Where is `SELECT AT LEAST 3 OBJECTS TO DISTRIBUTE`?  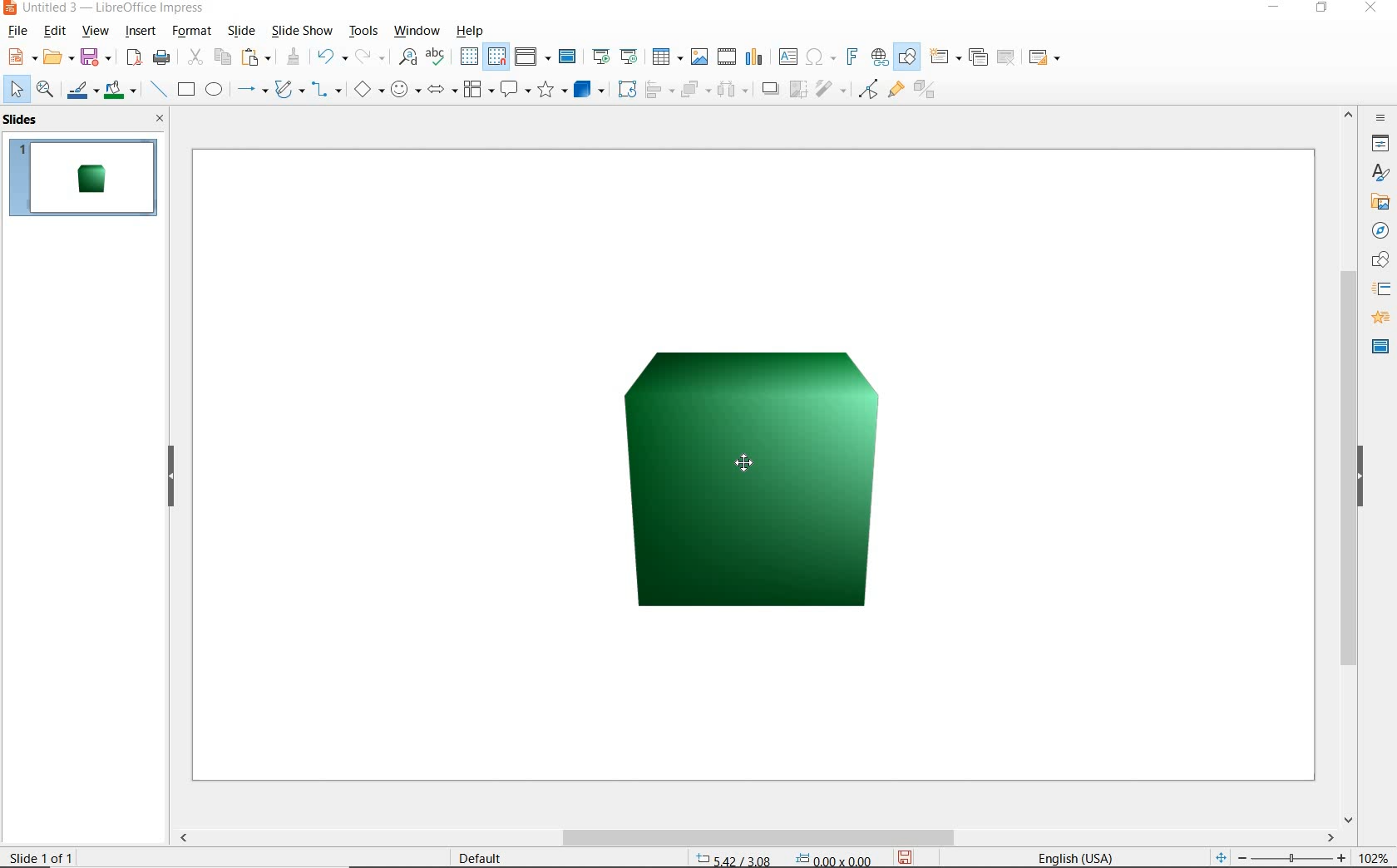
SELECT AT LEAST 3 OBJECTS TO DISTRIBUTE is located at coordinates (735, 91).